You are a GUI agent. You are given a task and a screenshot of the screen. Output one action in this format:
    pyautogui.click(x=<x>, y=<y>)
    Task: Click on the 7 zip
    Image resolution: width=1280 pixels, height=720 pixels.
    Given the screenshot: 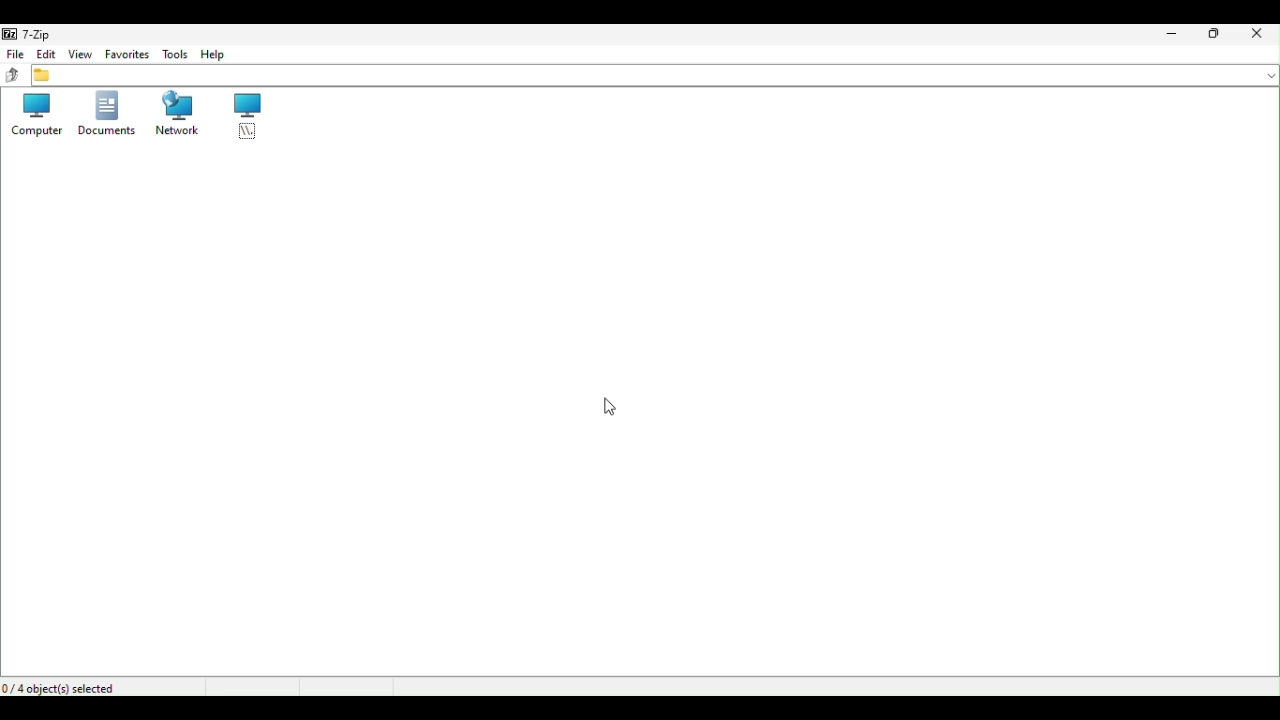 What is the action you would take?
    pyautogui.click(x=27, y=33)
    